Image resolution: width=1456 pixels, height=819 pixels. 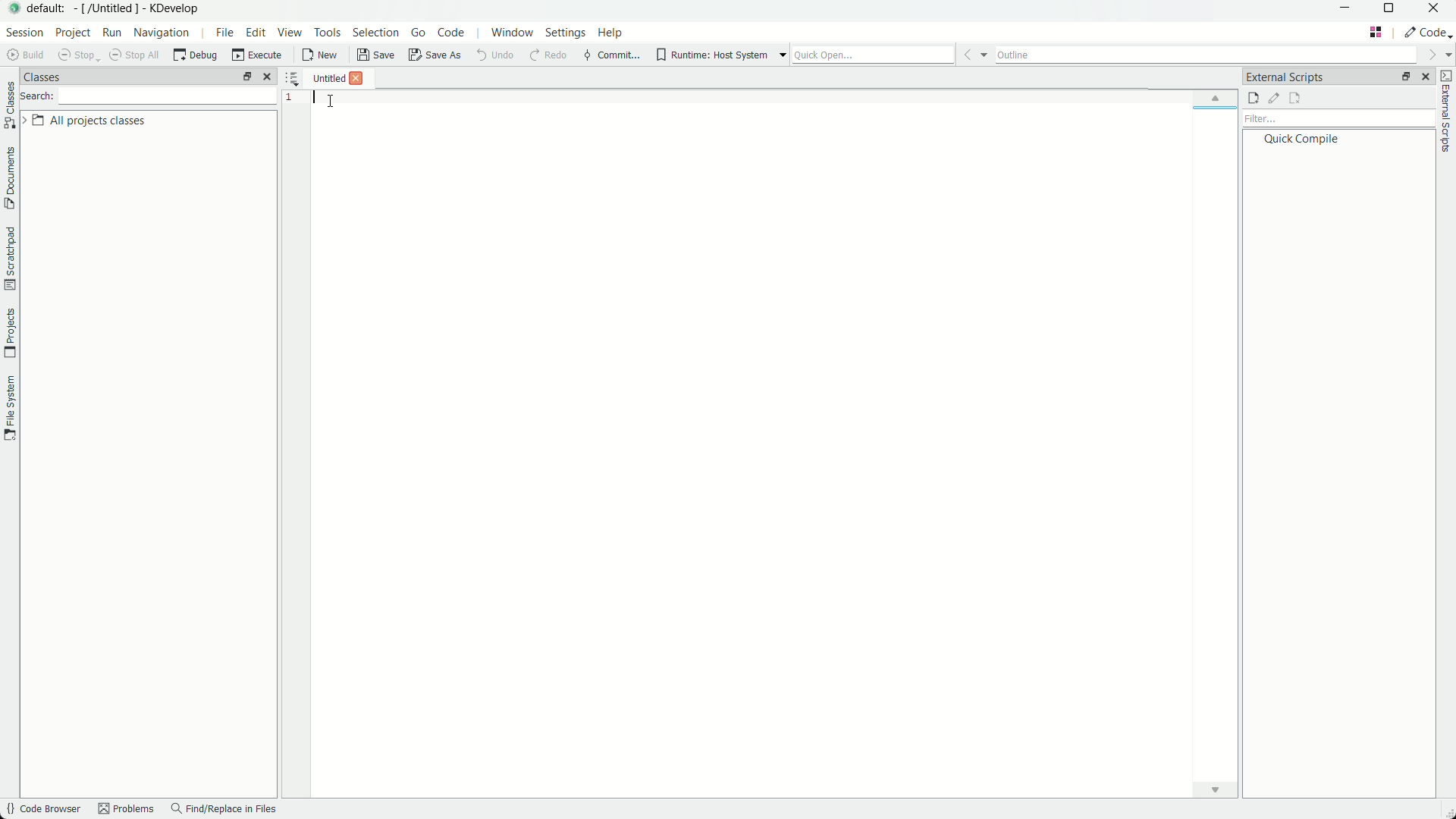 I want to click on stop all, so click(x=136, y=58).